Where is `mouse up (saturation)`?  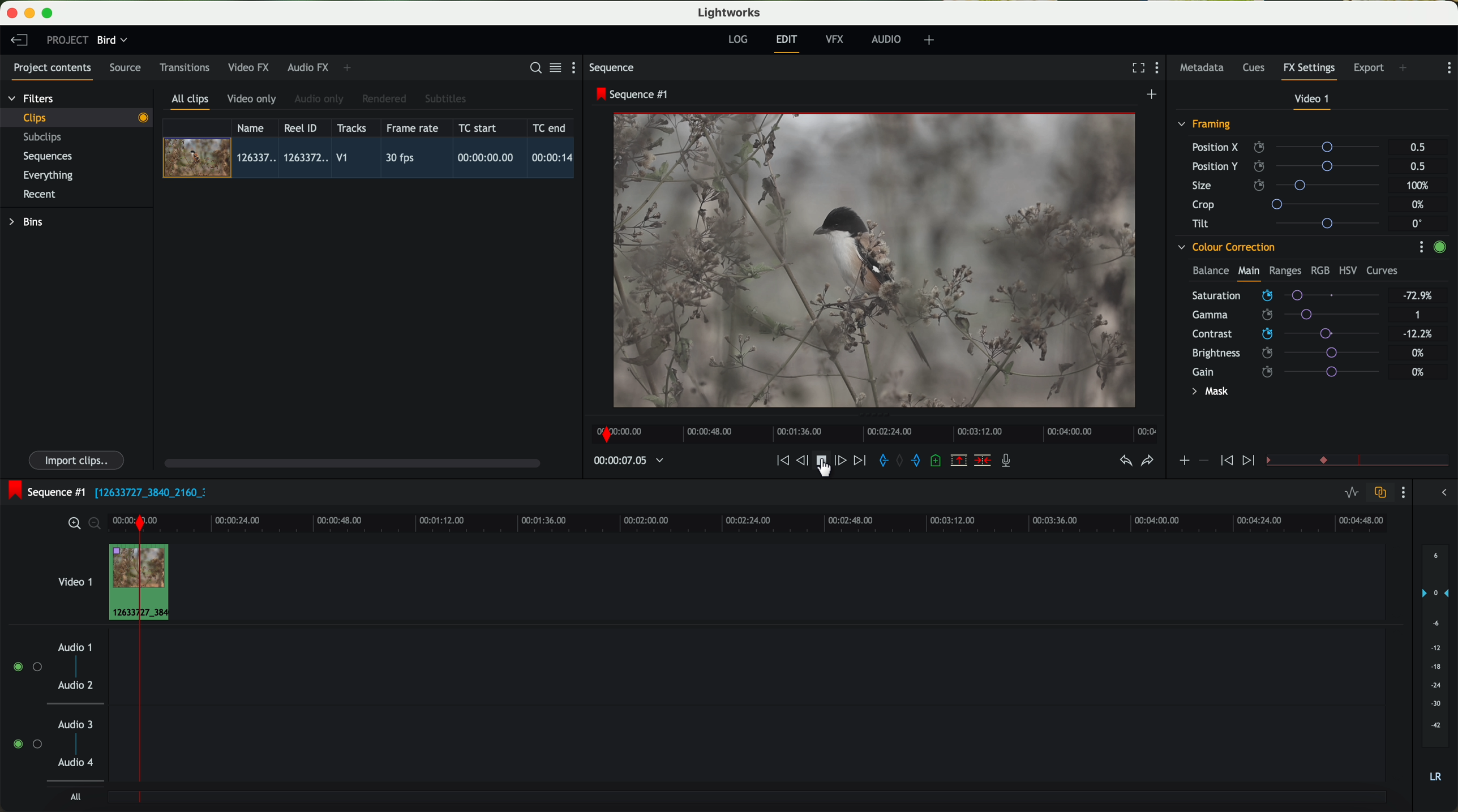 mouse up (saturation) is located at coordinates (1285, 293).